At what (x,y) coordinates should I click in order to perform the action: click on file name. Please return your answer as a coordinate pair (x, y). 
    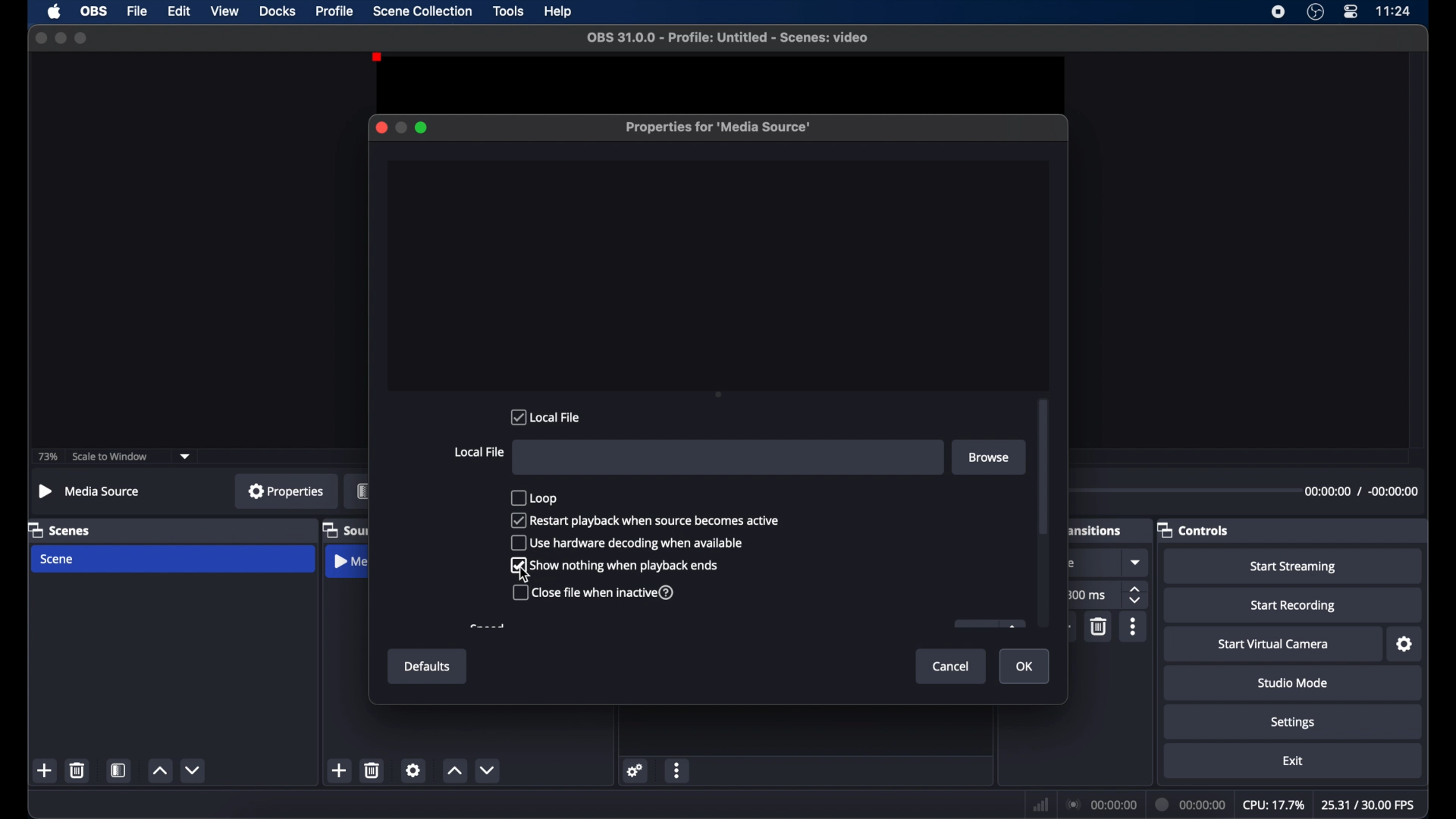
    Looking at the image, I should click on (727, 38).